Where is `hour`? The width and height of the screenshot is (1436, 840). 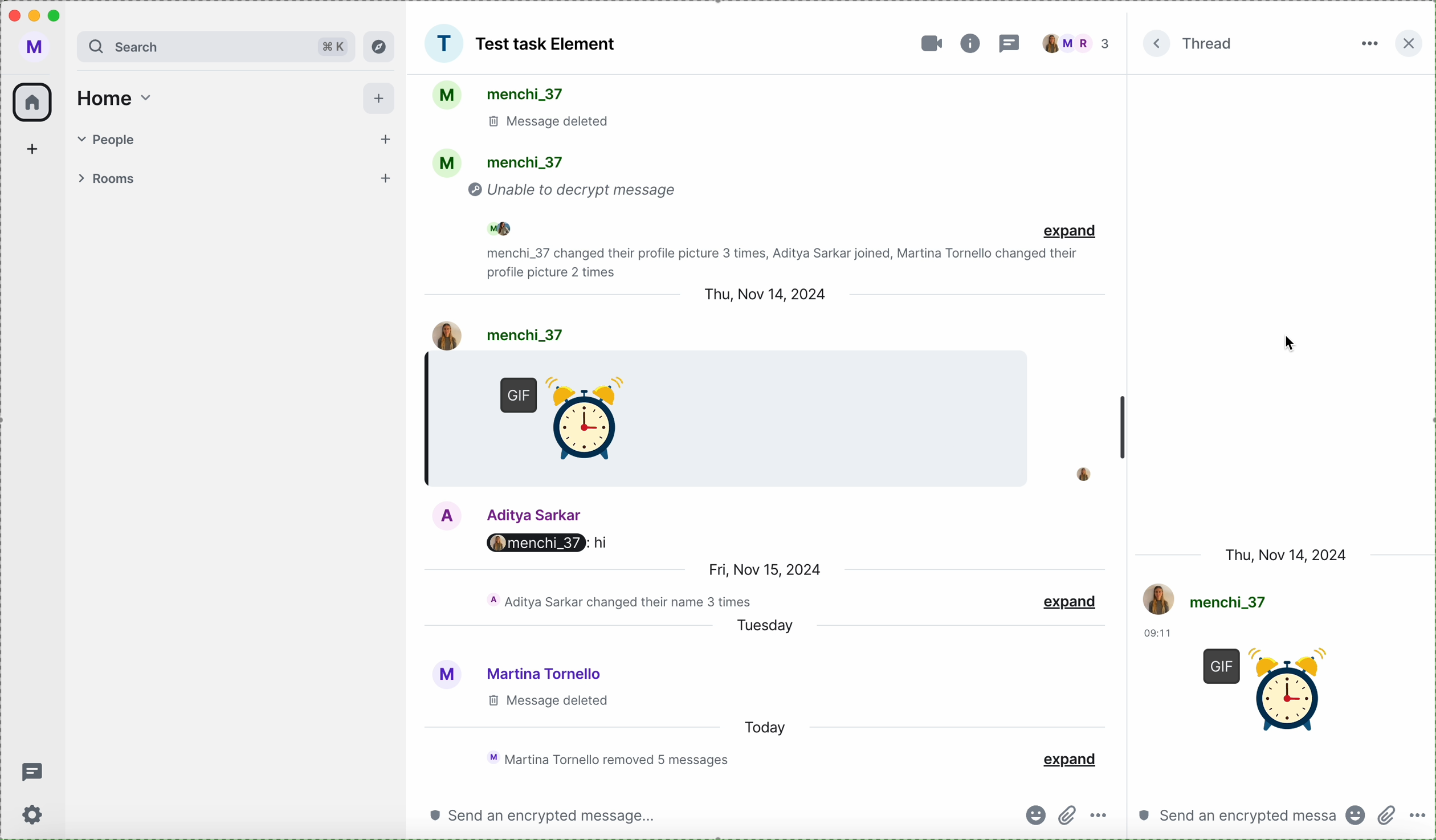 hour is located at coordinates (449, 362).